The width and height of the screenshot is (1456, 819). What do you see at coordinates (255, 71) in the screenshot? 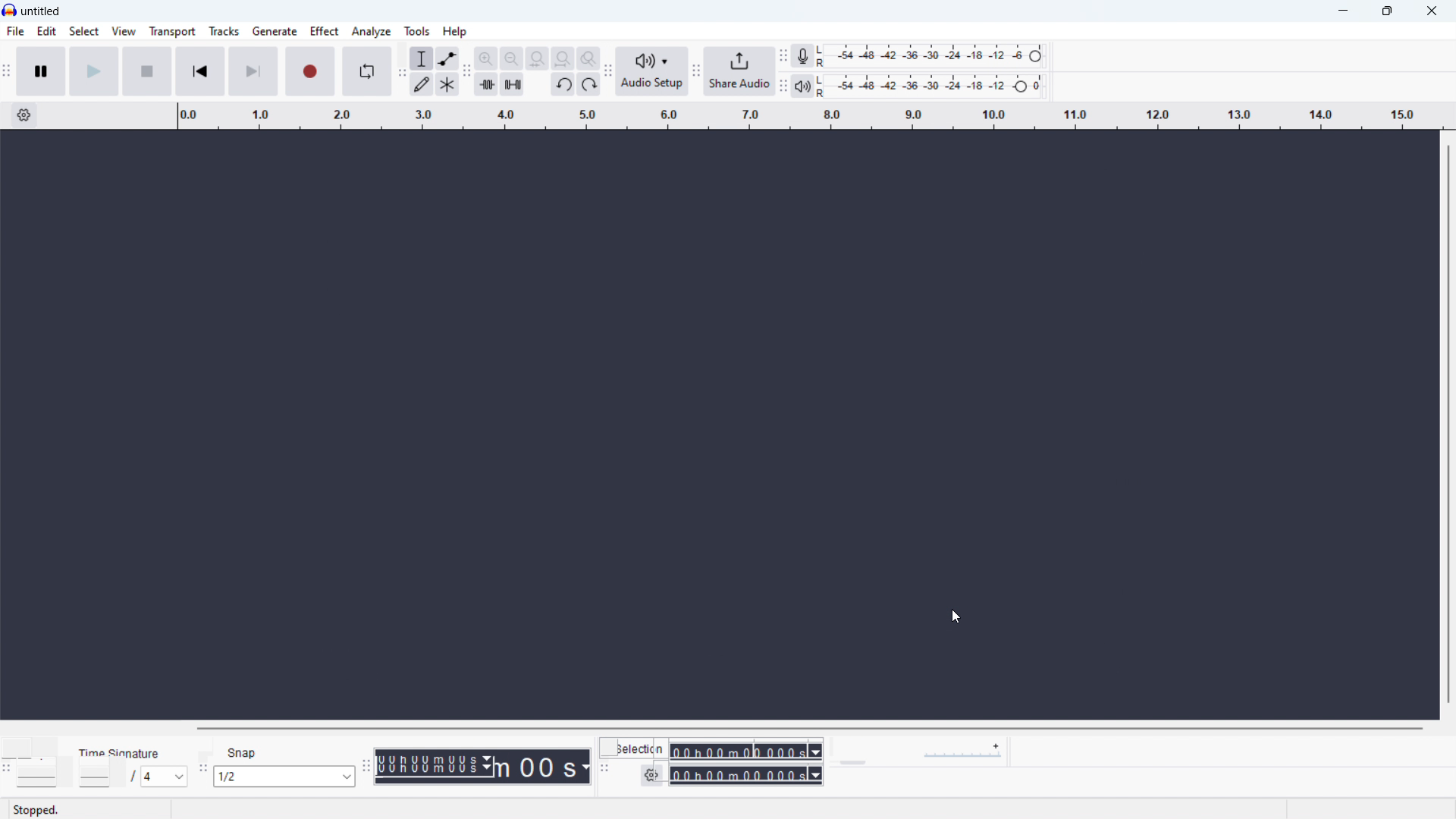
I see `skip to end` at bounding box center [255, 71].